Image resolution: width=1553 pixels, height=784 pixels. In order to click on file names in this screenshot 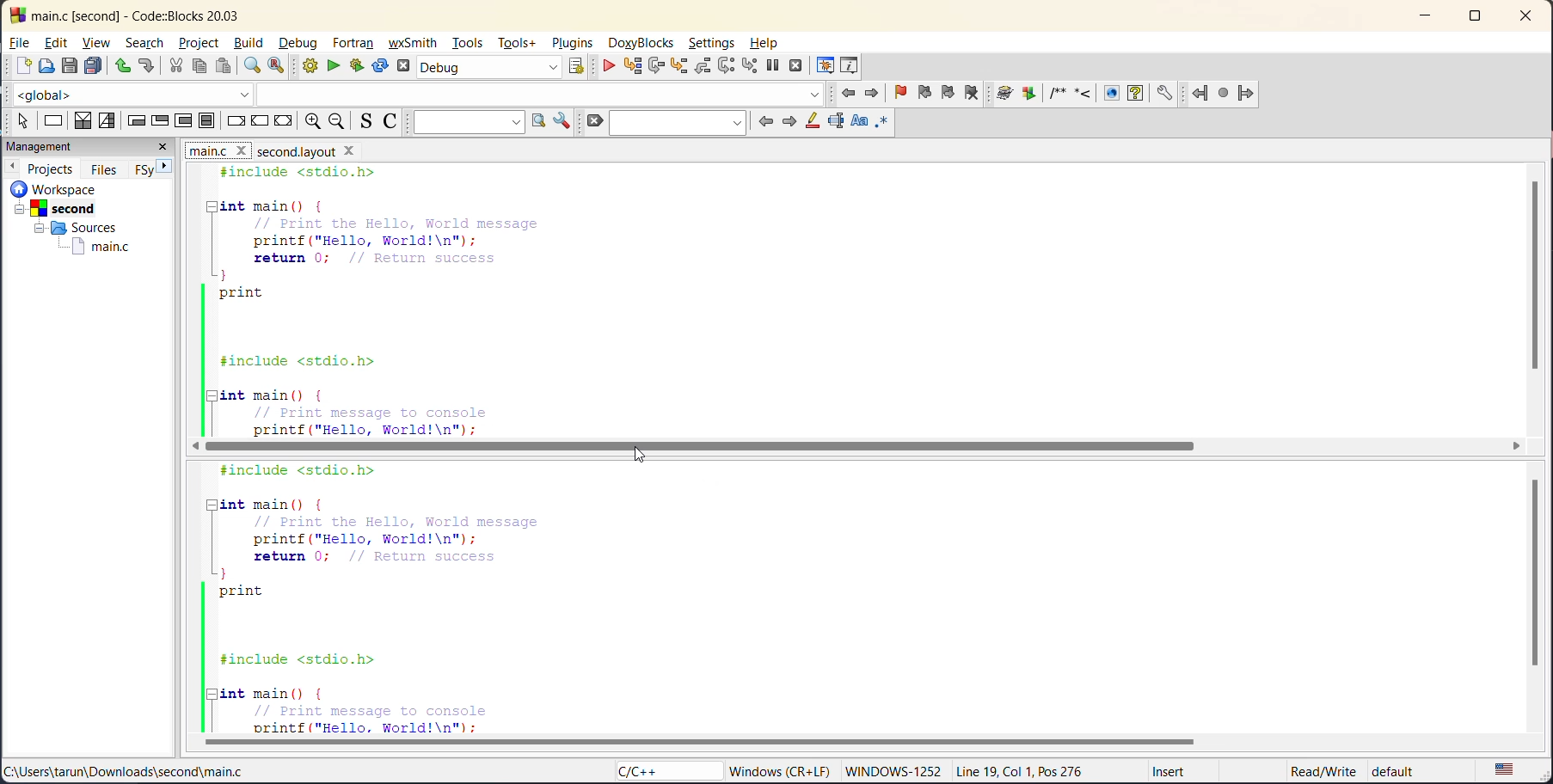, I will do `click(216, 150)`.